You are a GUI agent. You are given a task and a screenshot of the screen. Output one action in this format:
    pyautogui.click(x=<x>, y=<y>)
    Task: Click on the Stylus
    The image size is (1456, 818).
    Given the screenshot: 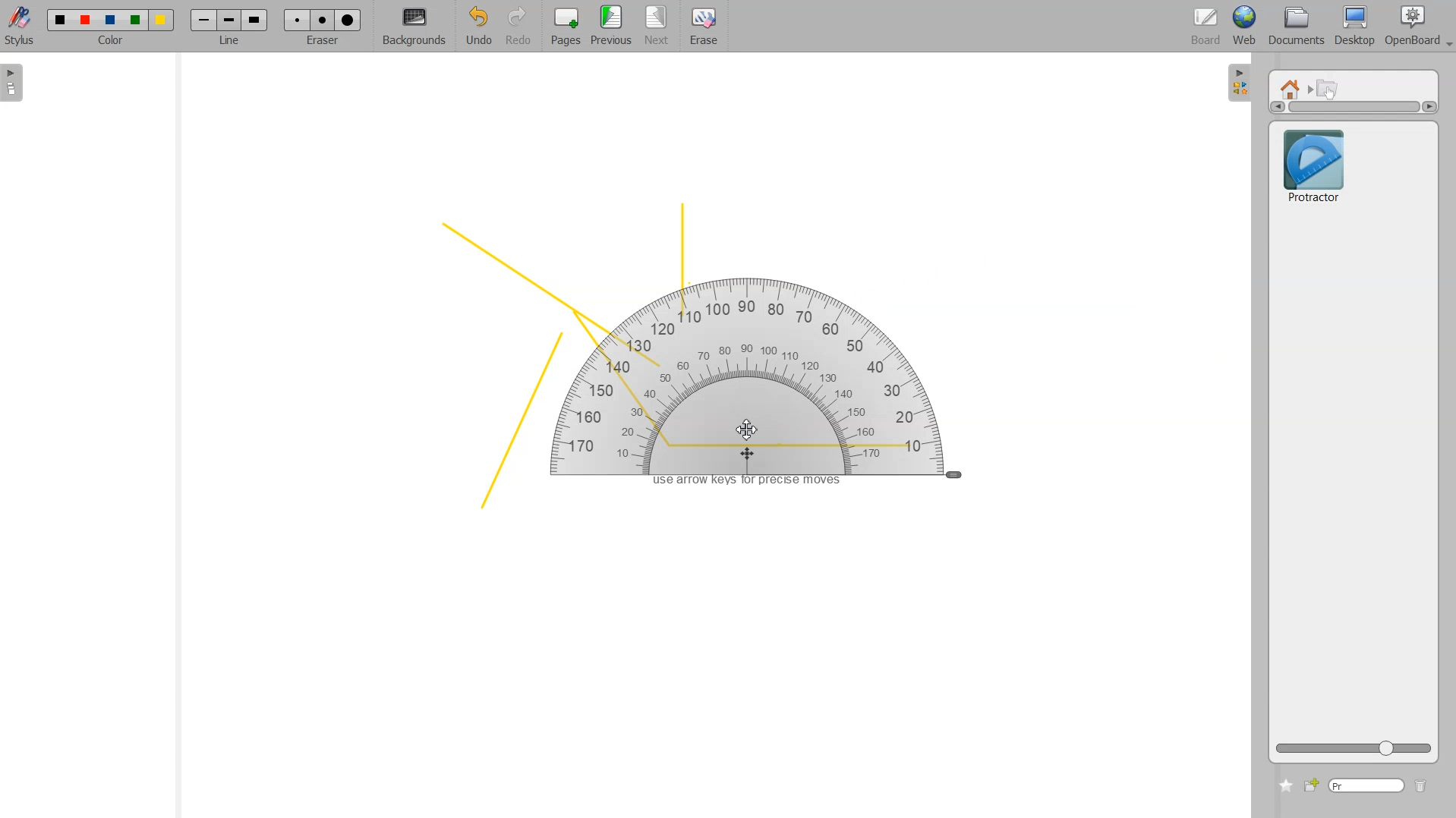 What is the action you would take?
    pyautogui.click(x=21, y=25)
    